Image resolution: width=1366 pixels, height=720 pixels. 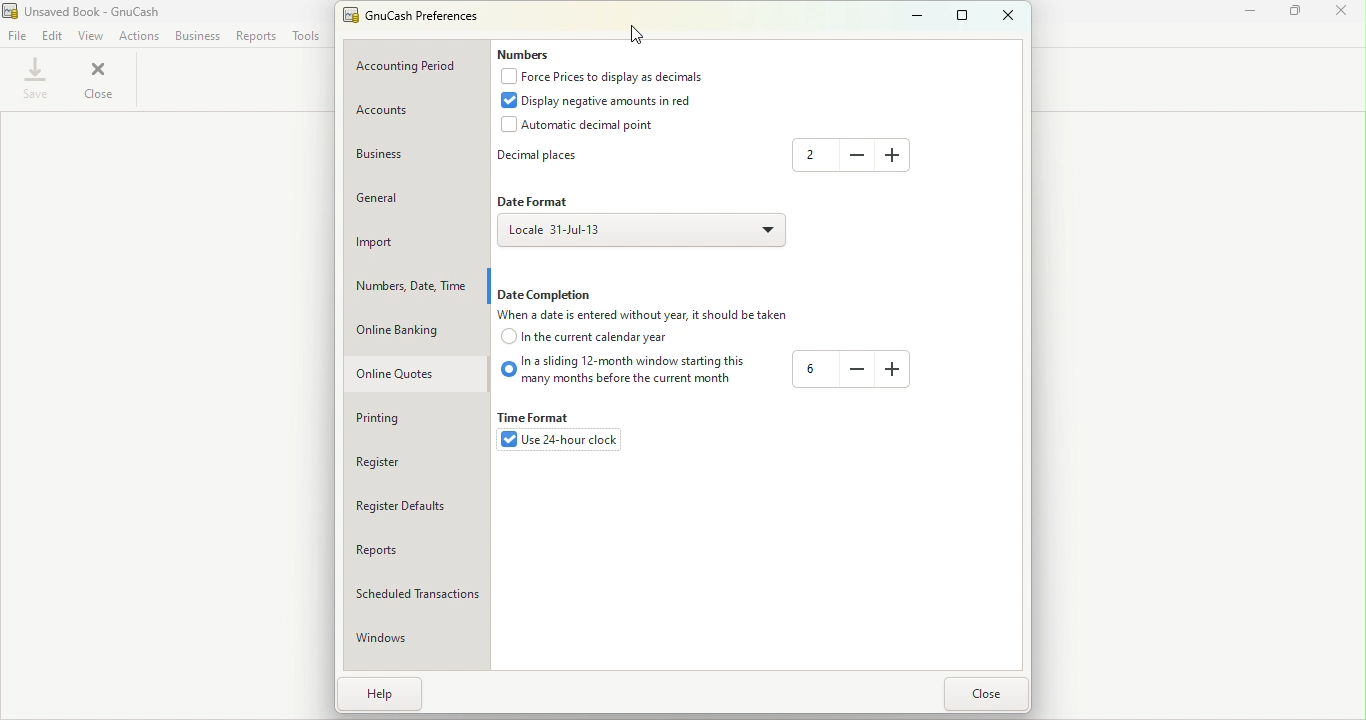 What do you see at coordinates (15, 35) in the screenshot?
I see `File` at bounding box center [15, 35].